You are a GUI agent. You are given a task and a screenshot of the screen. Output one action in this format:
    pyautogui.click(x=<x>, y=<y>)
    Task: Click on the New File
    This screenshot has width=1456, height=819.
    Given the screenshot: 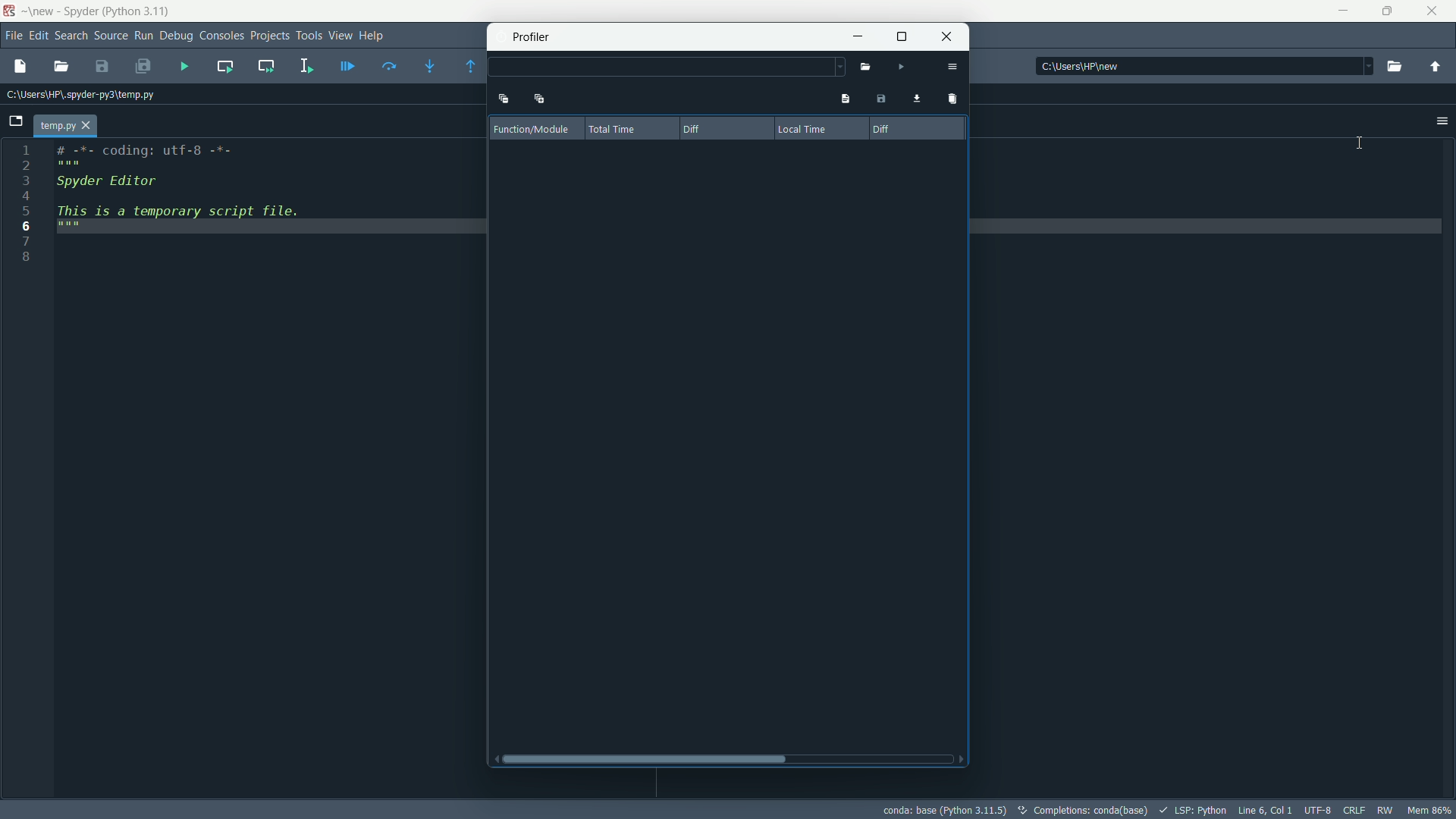 What is the action you would take?
    pyautogui.click(x=14, y=122)
    